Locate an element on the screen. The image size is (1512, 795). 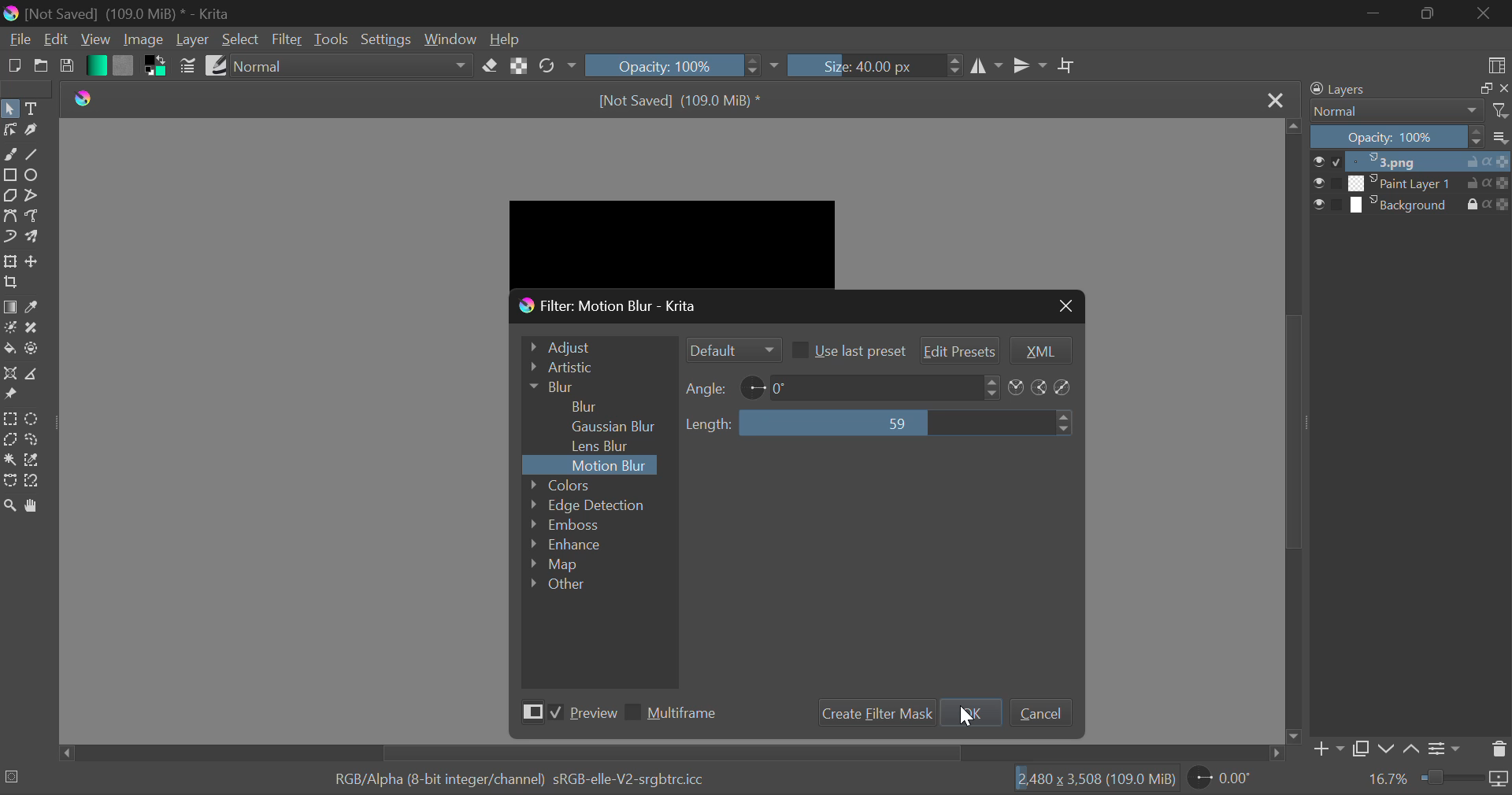
dropdown is located at coordinates (778, 66).